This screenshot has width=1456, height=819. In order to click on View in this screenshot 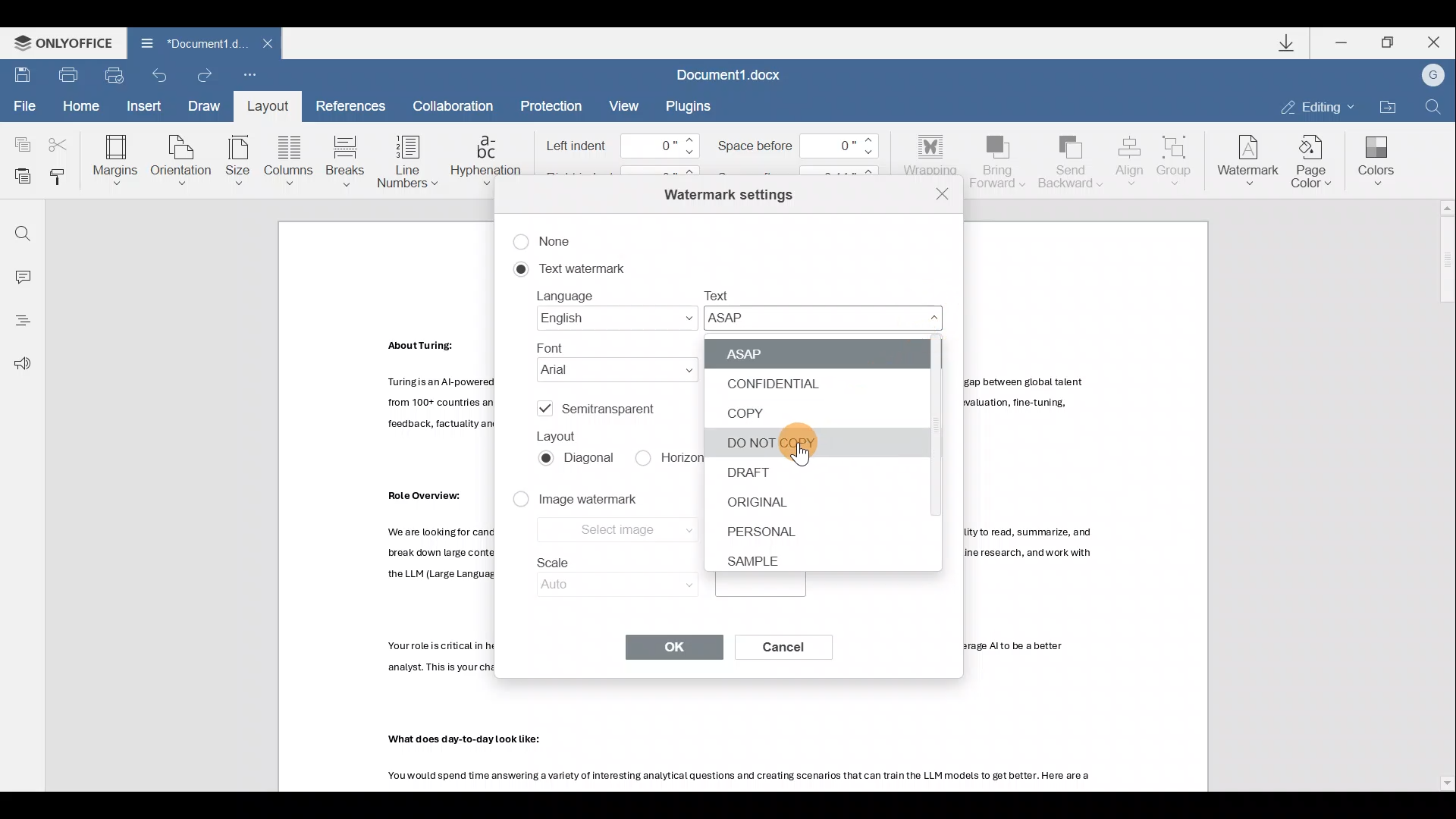, I will do `click(624, 104)`.